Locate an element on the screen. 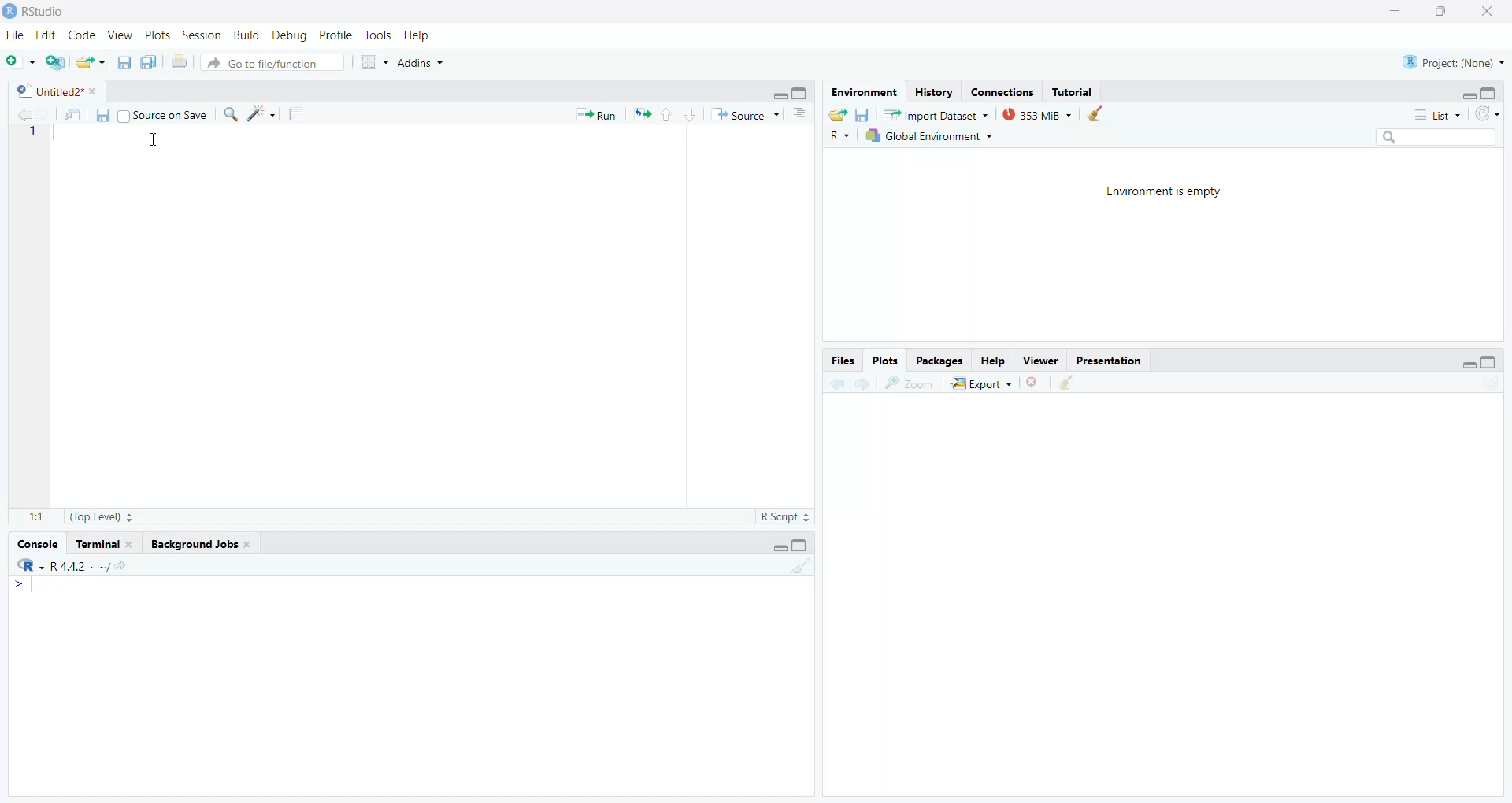 This screenshot has height=803, width=1512. create a project is located at coordinates (56, 63).